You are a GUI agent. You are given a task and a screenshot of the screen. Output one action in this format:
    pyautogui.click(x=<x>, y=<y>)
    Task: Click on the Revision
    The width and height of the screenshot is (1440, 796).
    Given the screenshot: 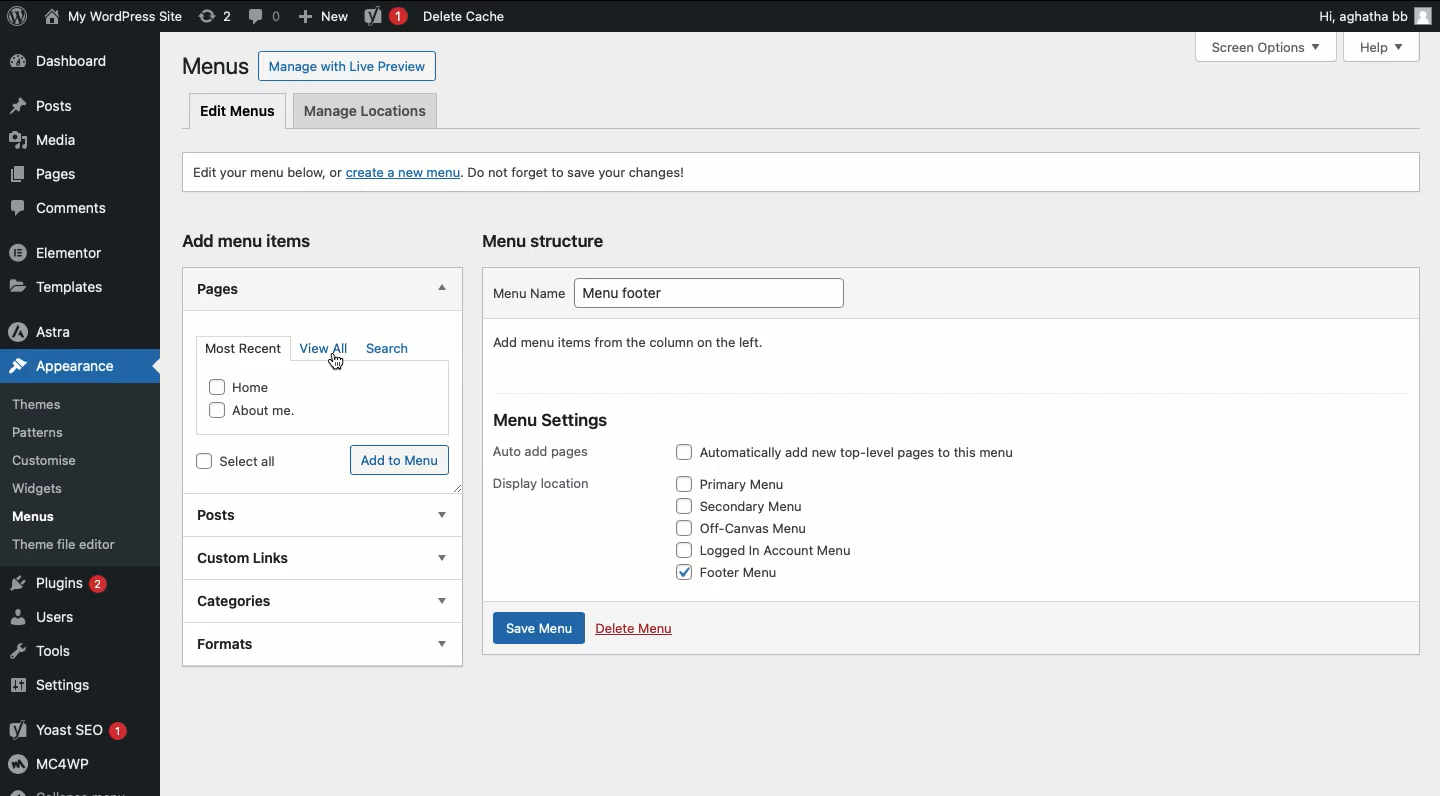 What is the action you would take?
    pyautogui.click(x=215, y=17)
    